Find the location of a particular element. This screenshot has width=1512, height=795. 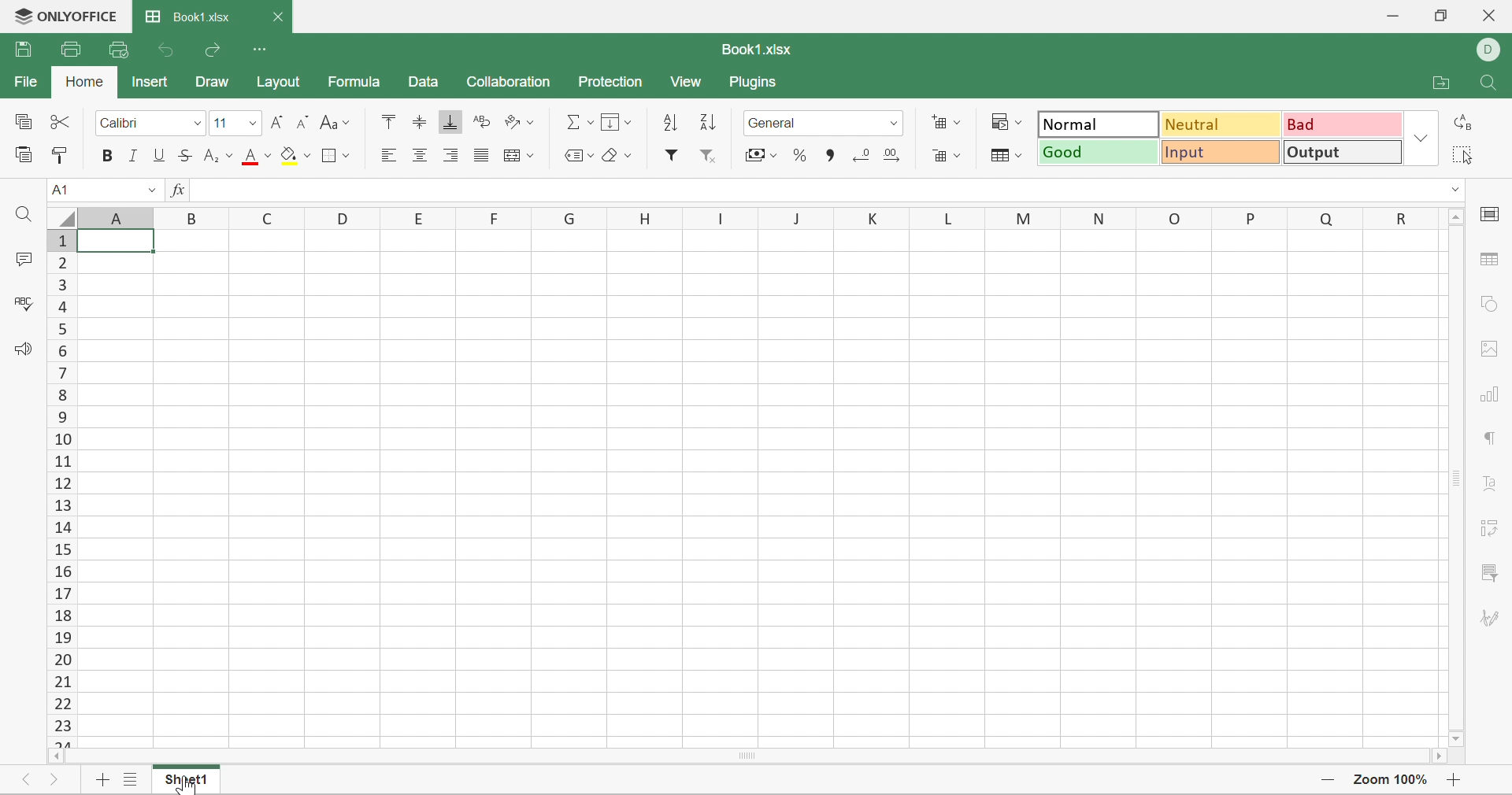

J is located at coordinates (793, 216).